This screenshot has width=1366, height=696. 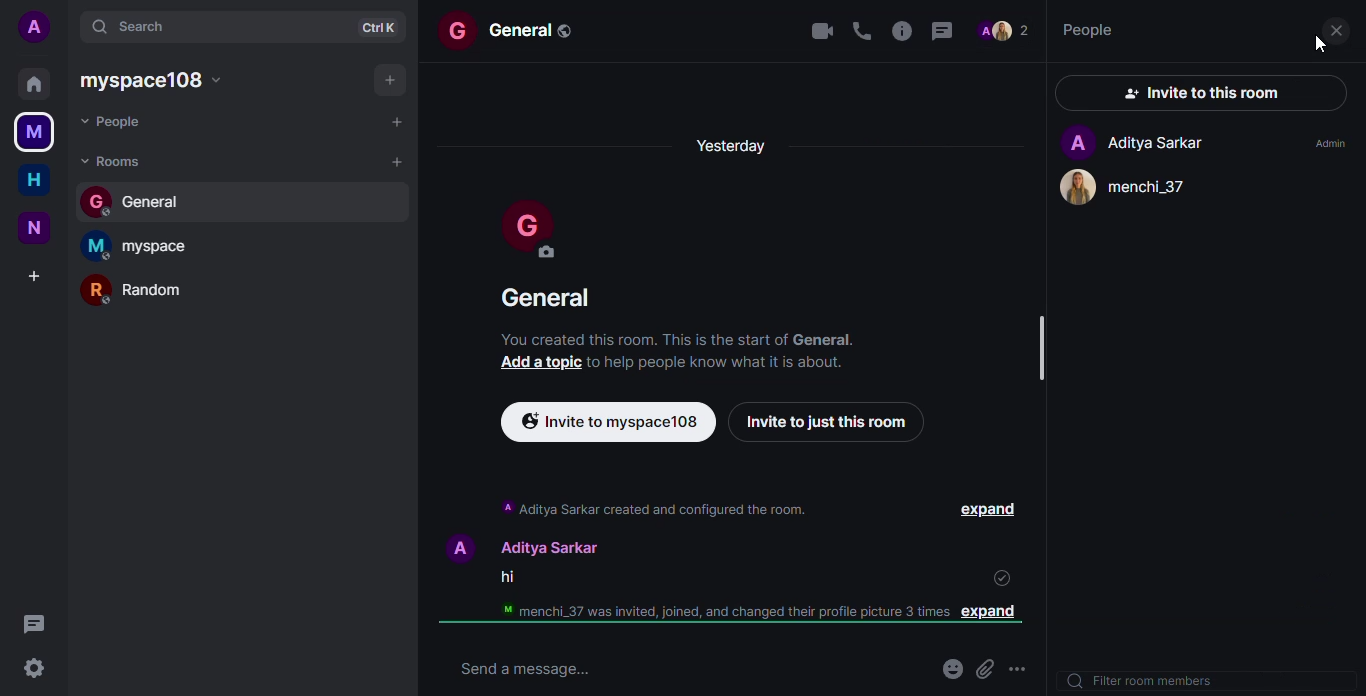 I want to click on video call, so click(x=814, y=29).